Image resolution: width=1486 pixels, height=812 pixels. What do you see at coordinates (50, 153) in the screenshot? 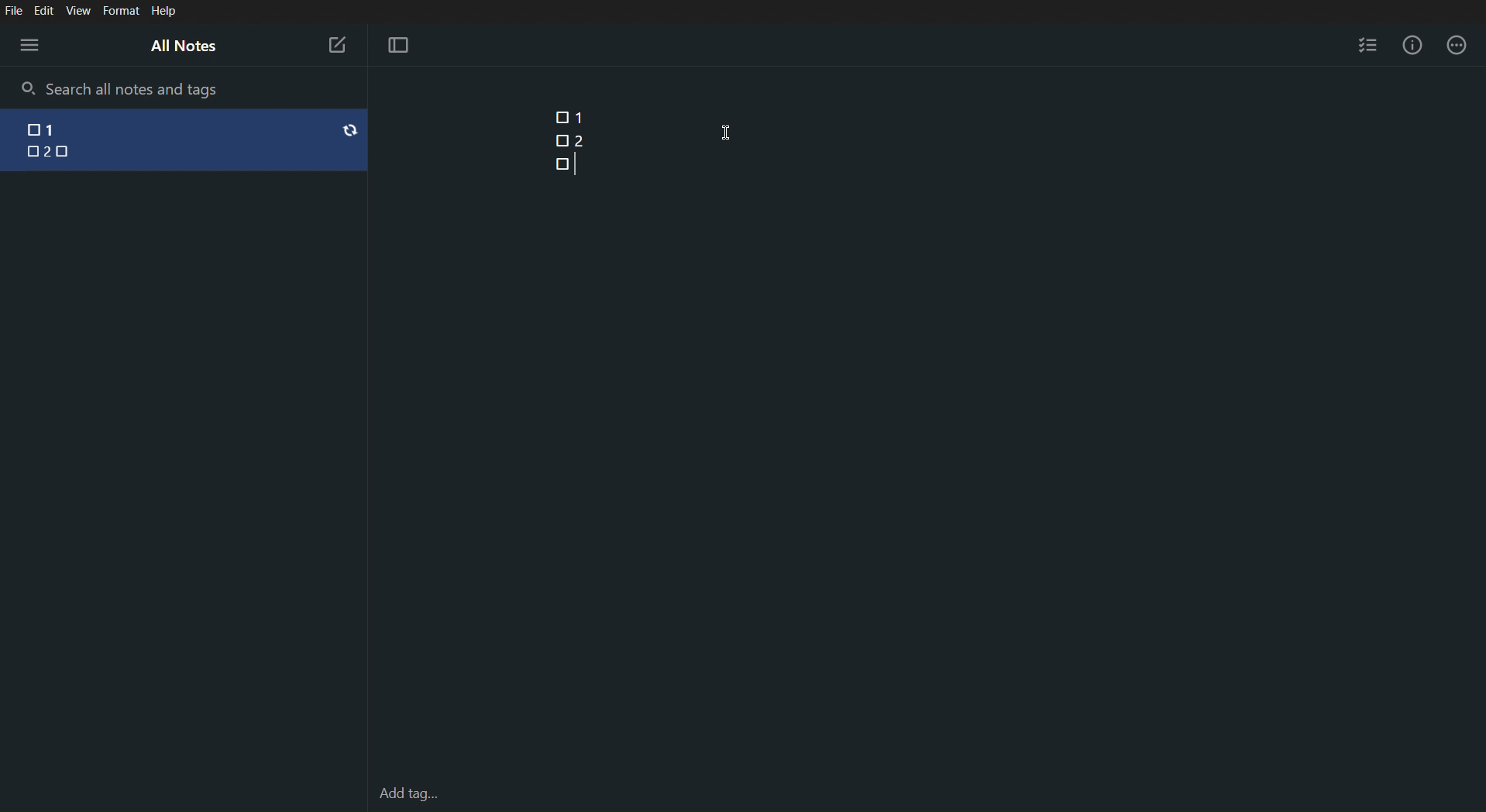
I see `2` at bounding box center [50, 153].